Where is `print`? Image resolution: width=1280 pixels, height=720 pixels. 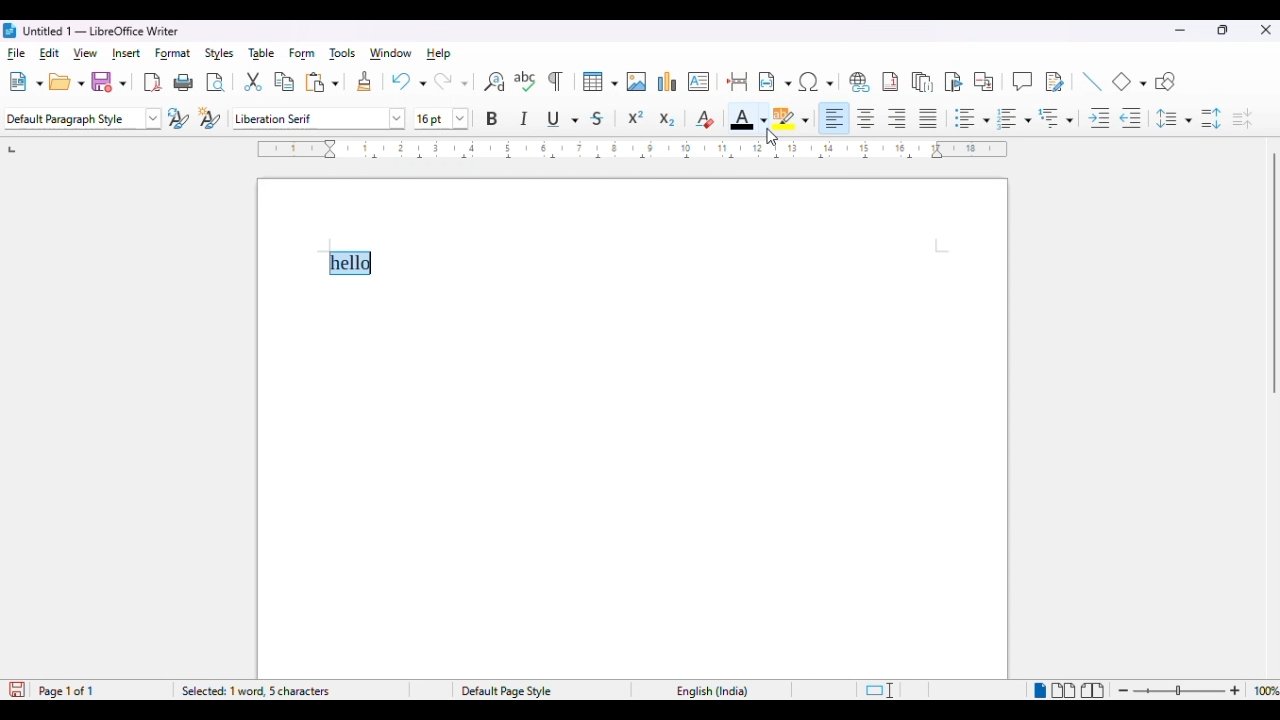
print is located at coordinates (183, 83).